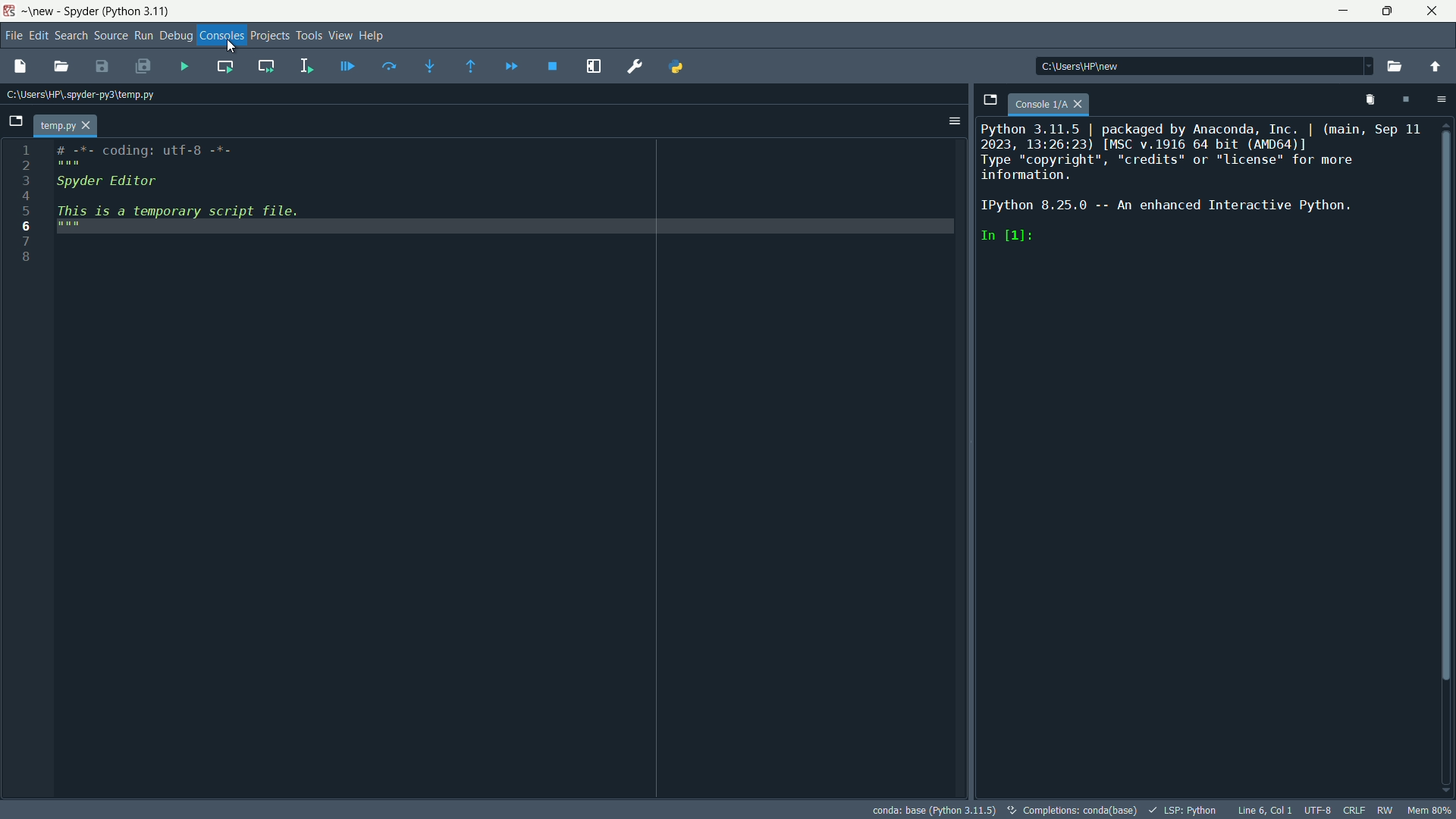 This screenshot has width=1456, height=819. Describe the element at coordinates (221, 36) in the screenshot. I see `consoles menu` at that location.